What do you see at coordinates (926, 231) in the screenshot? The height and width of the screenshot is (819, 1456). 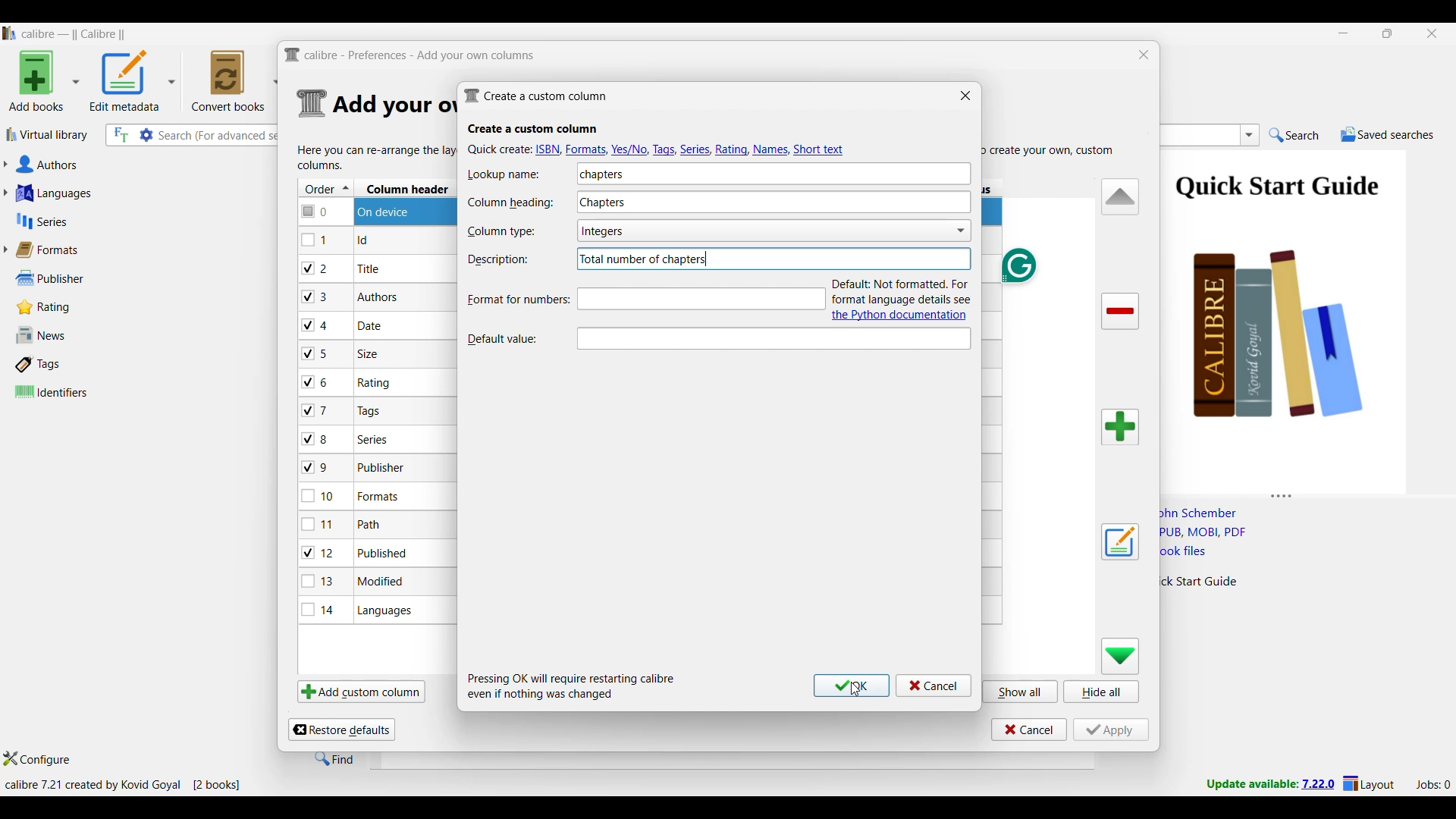 I see `Toggle for Show checkmarks` at bounding box center [926, 231].